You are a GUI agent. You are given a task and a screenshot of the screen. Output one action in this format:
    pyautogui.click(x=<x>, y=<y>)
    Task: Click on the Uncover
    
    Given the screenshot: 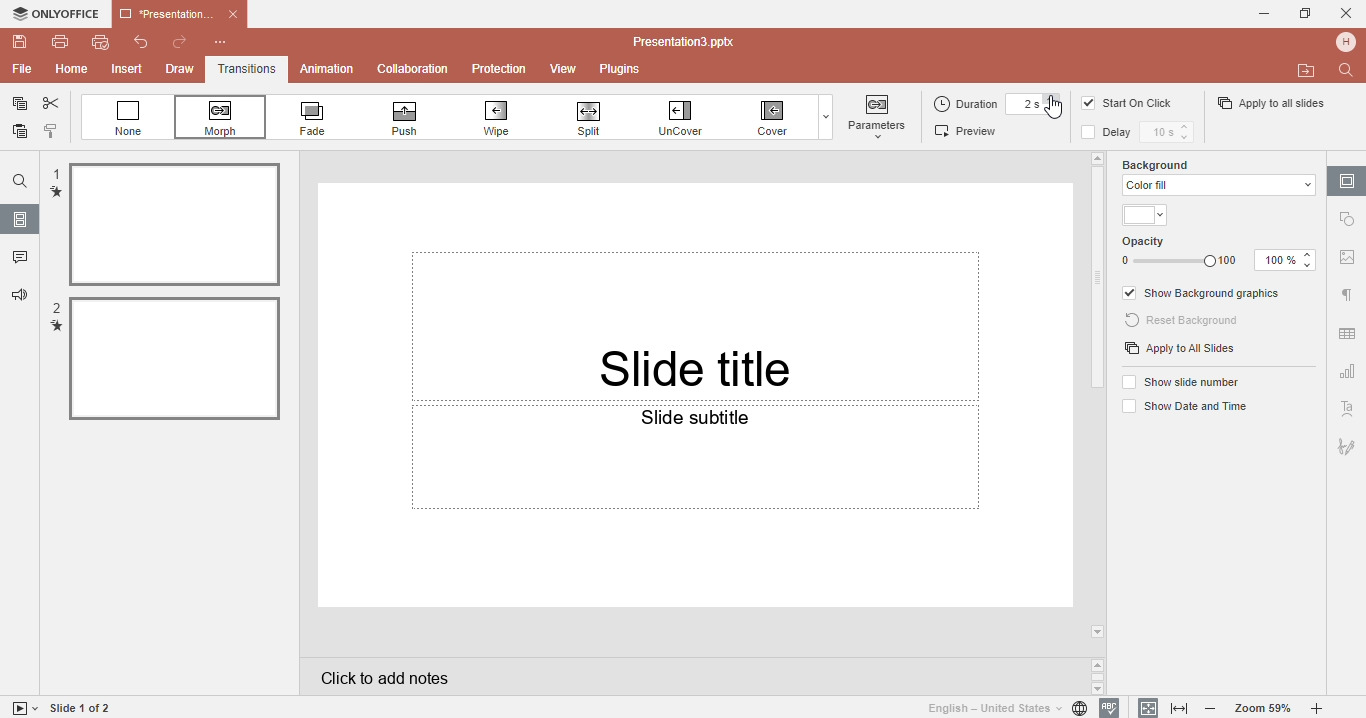 What is the action you would take?
    pyautogui.click(x=691, y=117)
    